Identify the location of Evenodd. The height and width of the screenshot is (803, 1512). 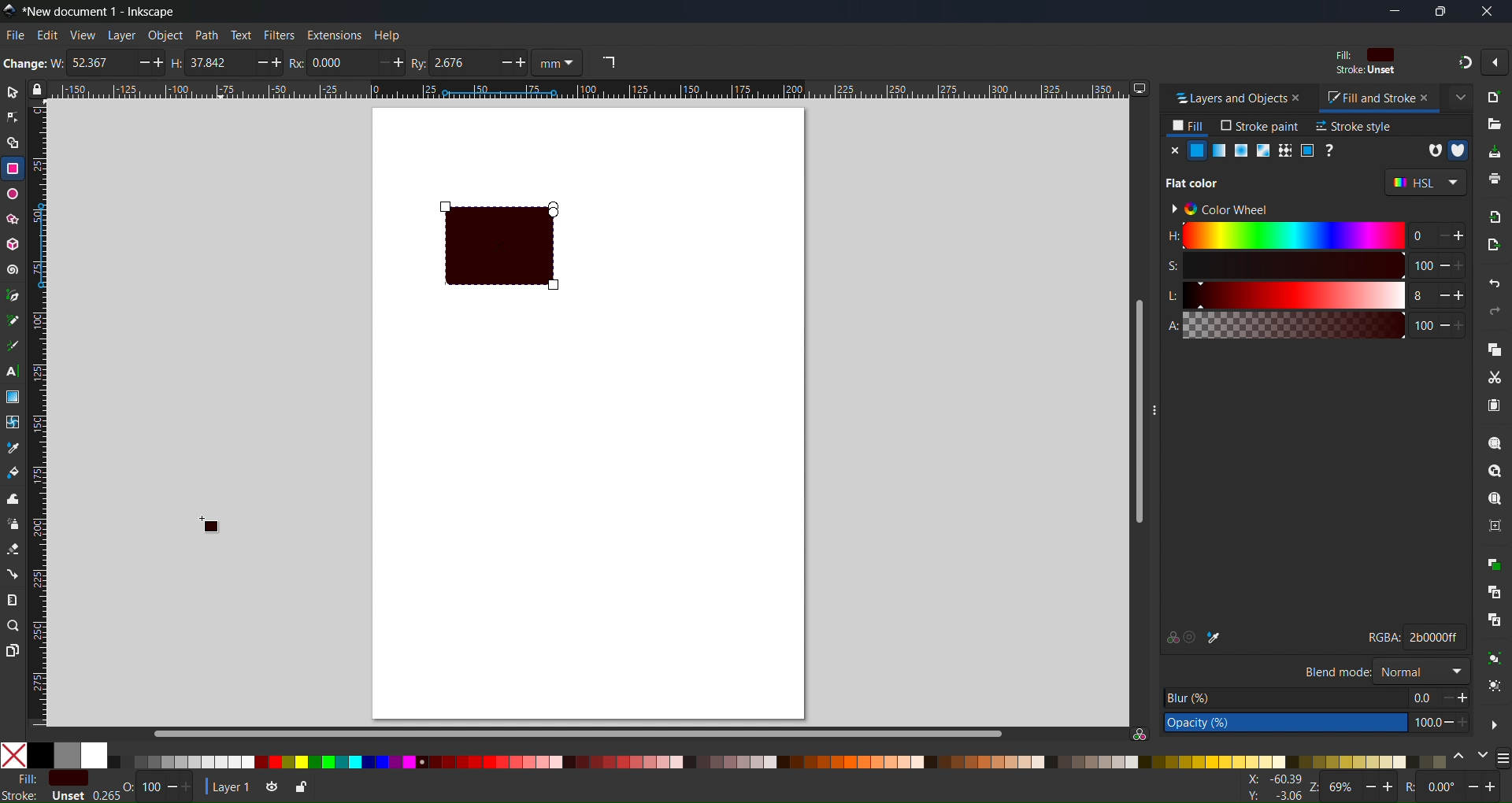
(1432, 150).